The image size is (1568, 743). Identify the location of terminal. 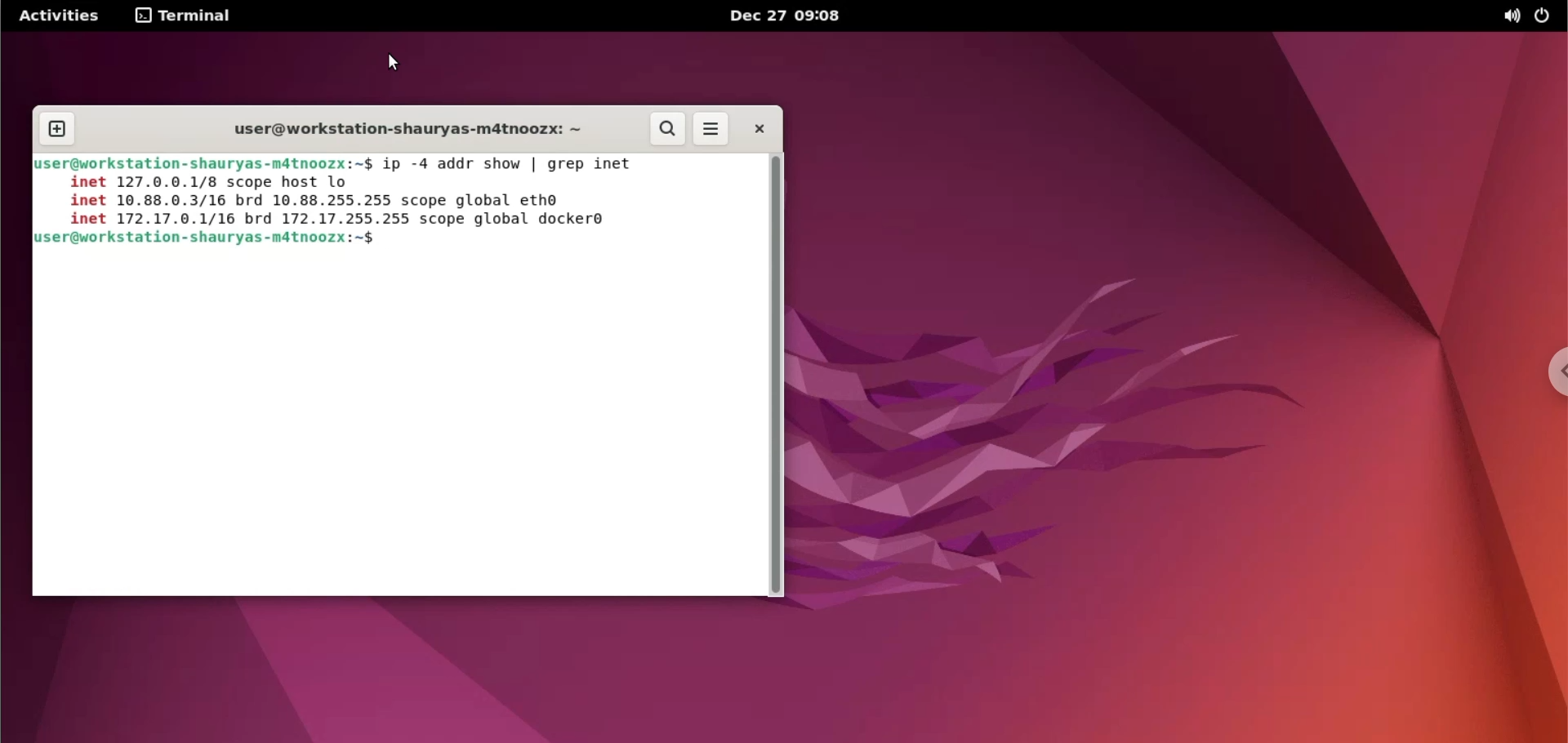
(184, 15).